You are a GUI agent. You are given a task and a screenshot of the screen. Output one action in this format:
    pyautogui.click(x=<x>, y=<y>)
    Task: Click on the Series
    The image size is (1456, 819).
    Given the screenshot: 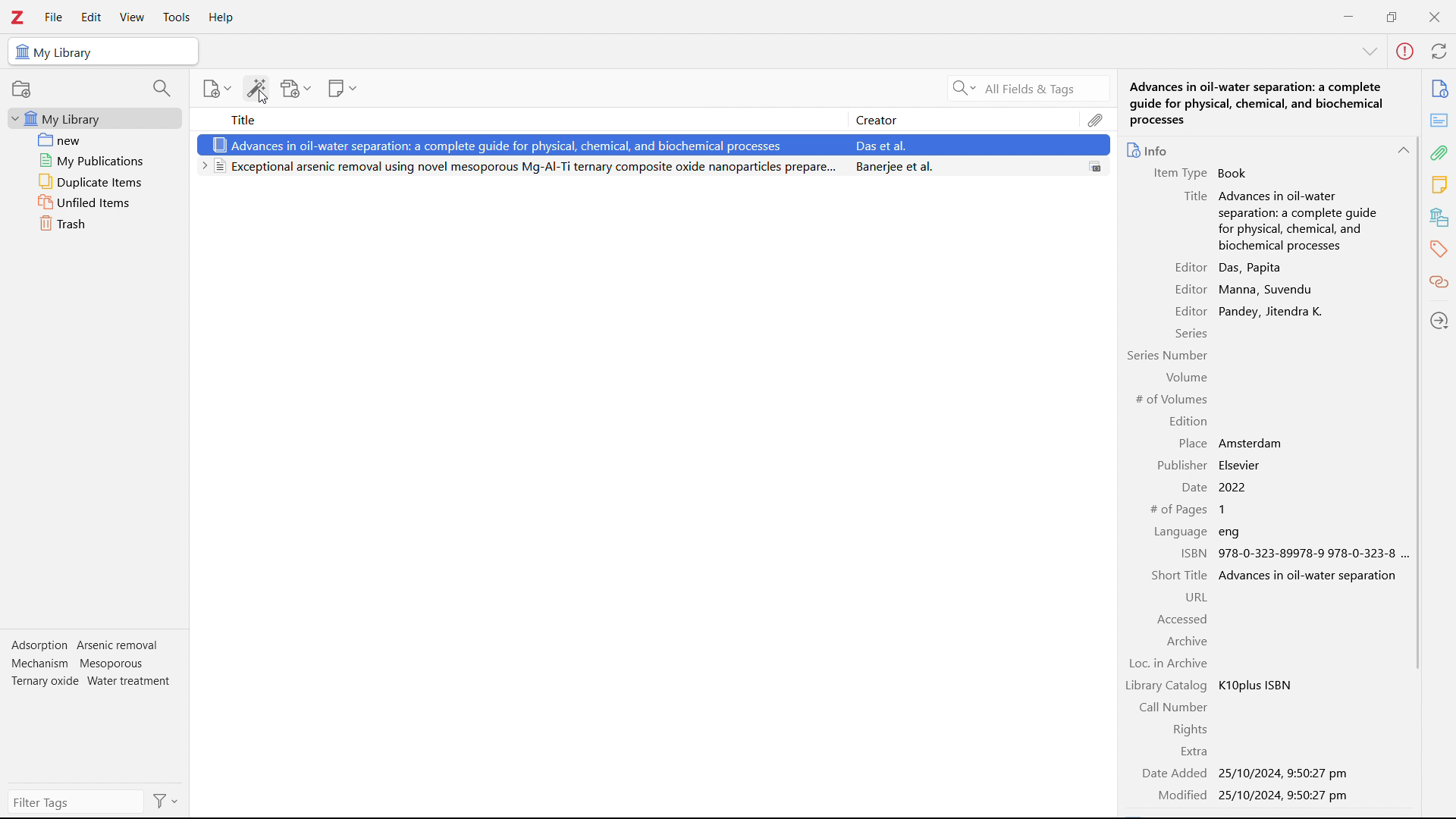 What is the action you would take?
    pyautogui.click(x=1191, y=333)
    